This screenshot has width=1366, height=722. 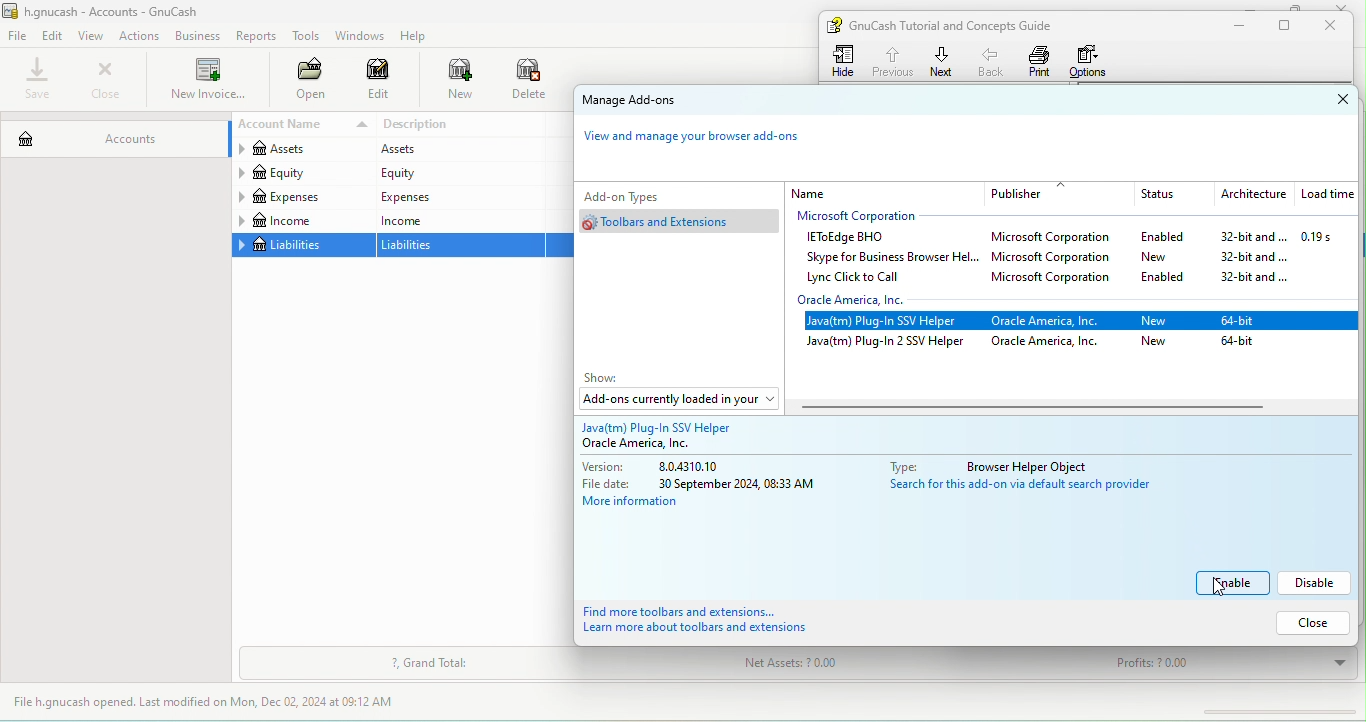 What do you see at coordinates (1336, 26) in the screenshot?
I see `close` at bounding box center [1336, 26].